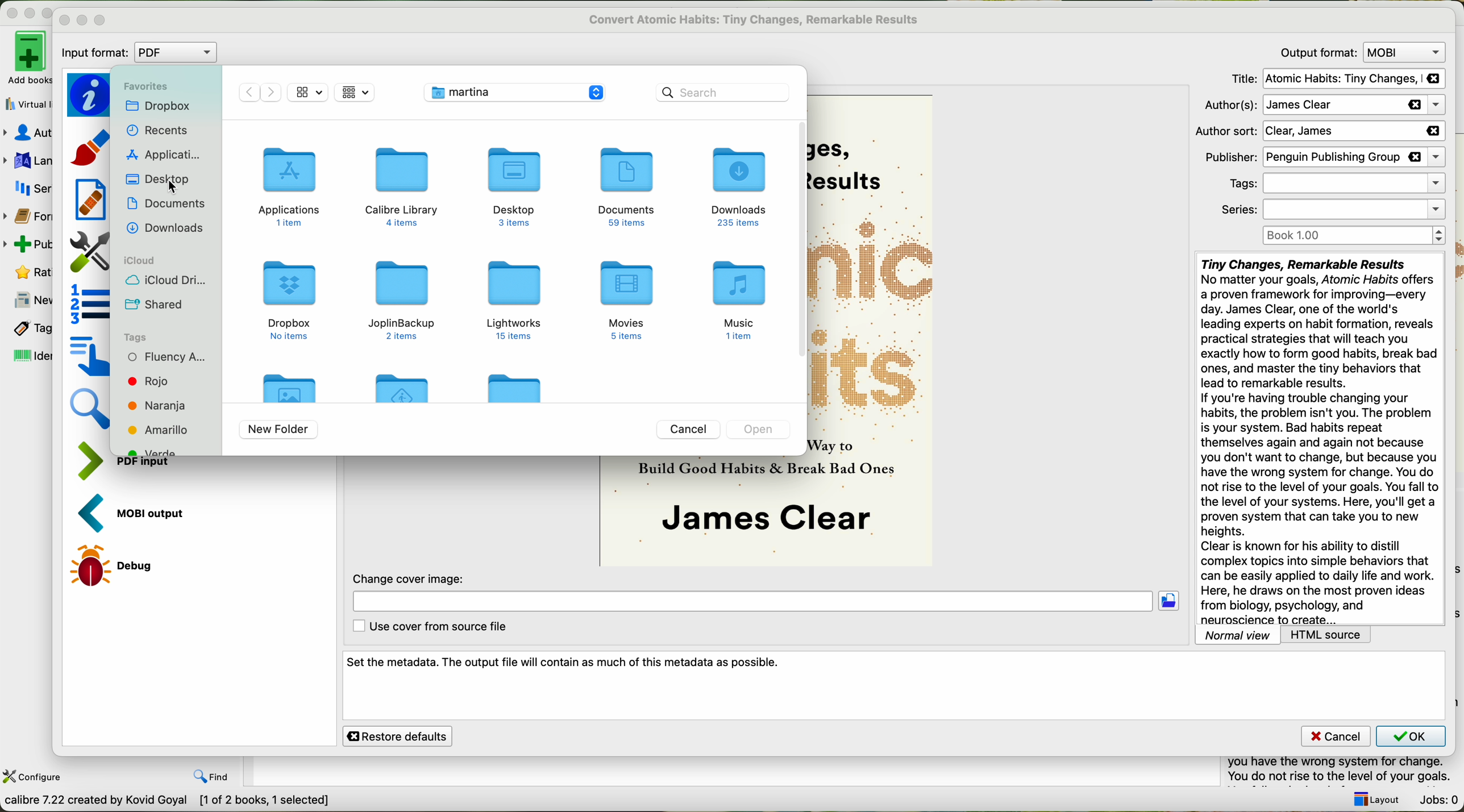 This screenshot has height=812, width=1464. What do you see at coordinates (95, 461) in the screenshot?
I see `PDF input` at bounding box center [95, 461].